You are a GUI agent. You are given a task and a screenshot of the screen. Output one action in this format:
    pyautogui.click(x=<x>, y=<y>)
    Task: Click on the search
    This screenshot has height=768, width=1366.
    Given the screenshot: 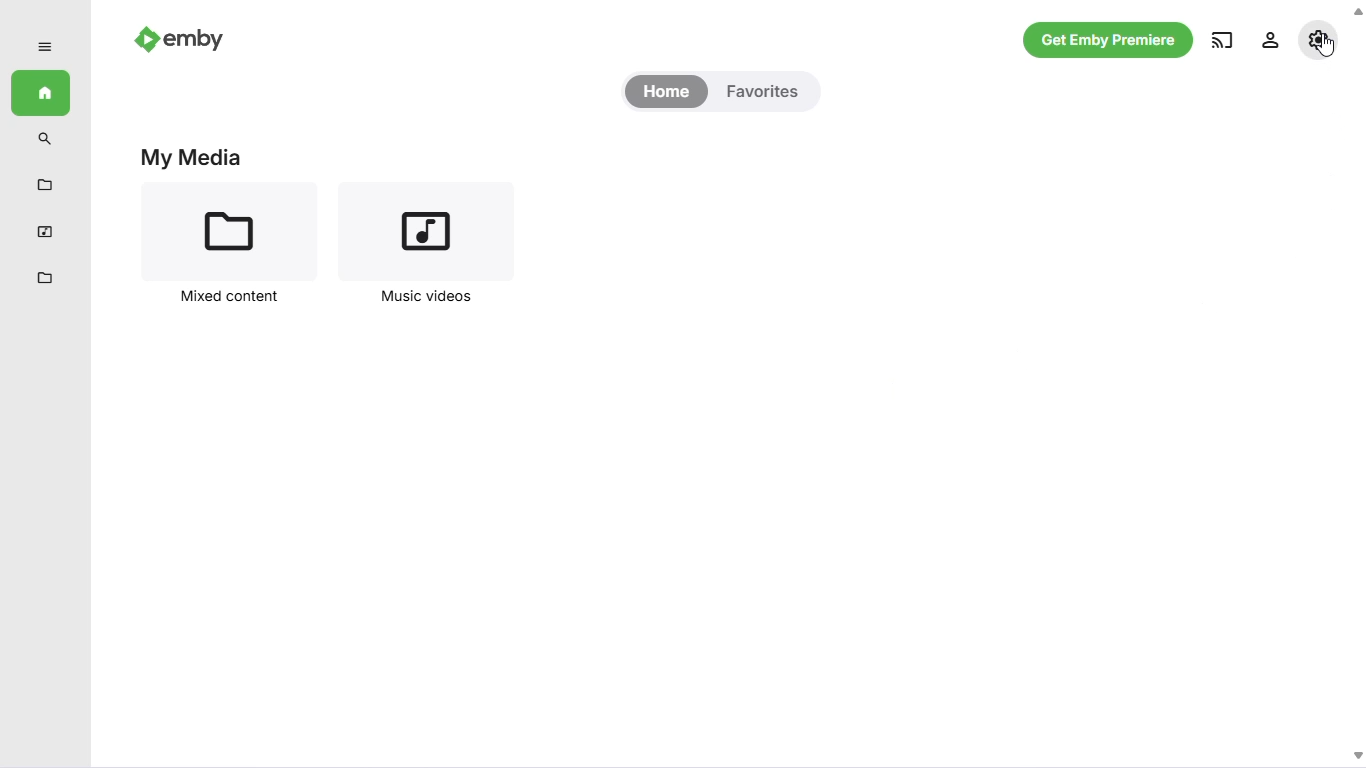 What is the action you would take?
    pyautogui.click(x=44, y=138)
    